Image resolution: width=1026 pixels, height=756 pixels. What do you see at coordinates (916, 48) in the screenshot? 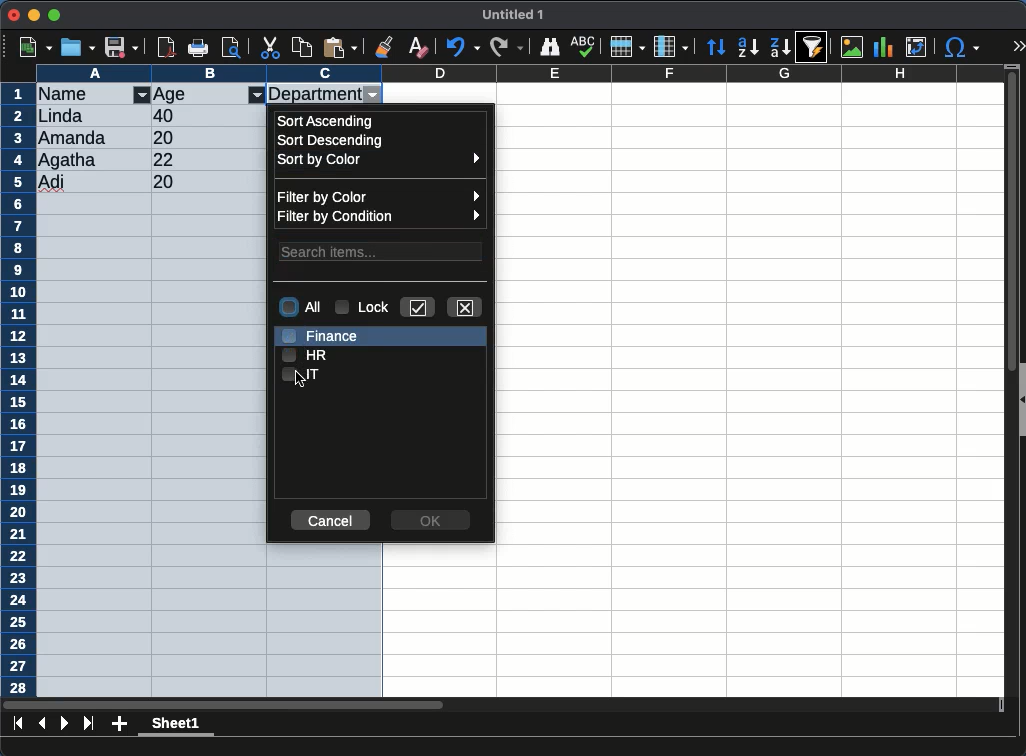
I see `pivot table` at bounding box center [916, 48].